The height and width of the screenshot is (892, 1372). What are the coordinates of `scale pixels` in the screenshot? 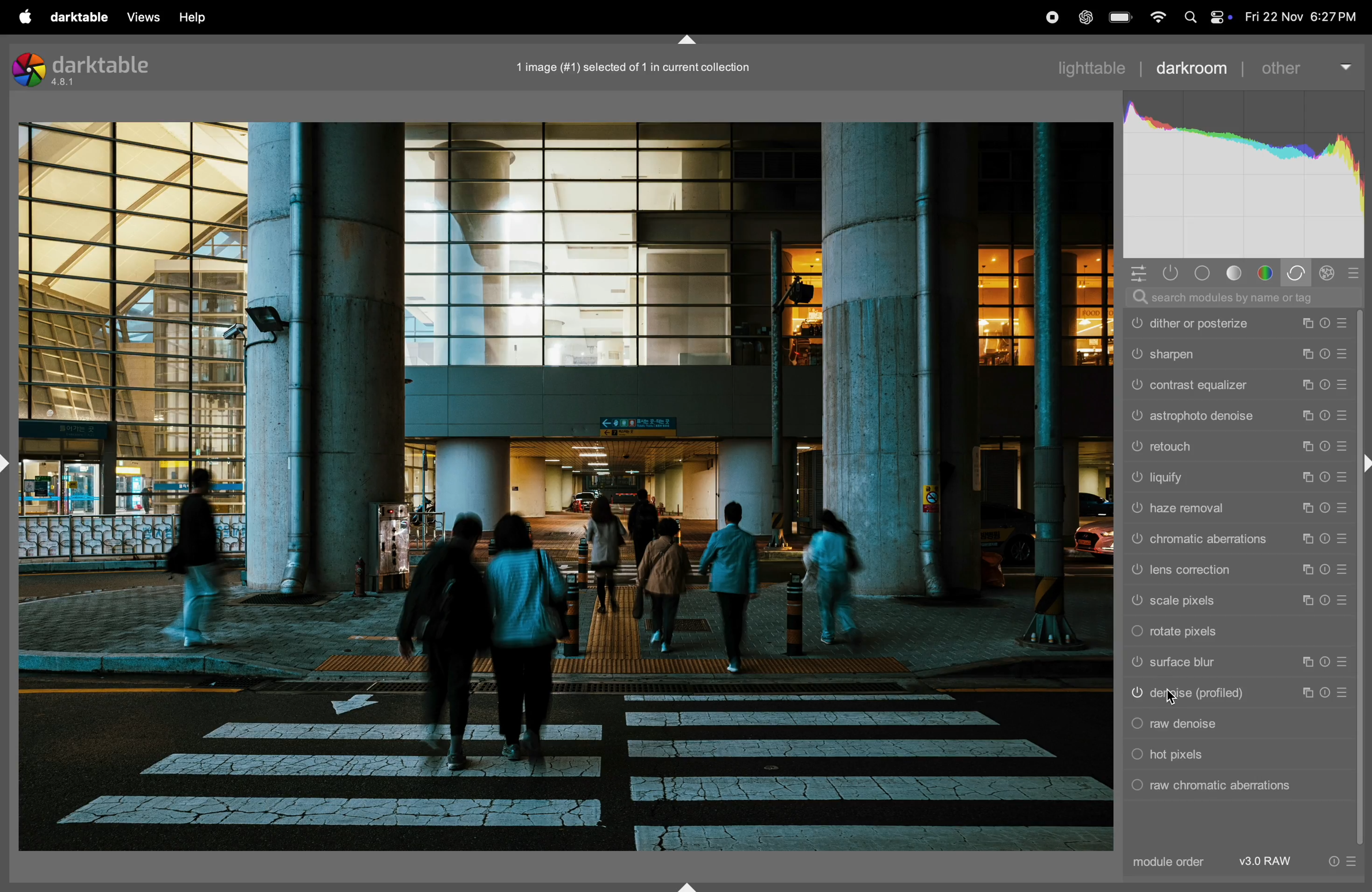 It's located at (1236, 601).